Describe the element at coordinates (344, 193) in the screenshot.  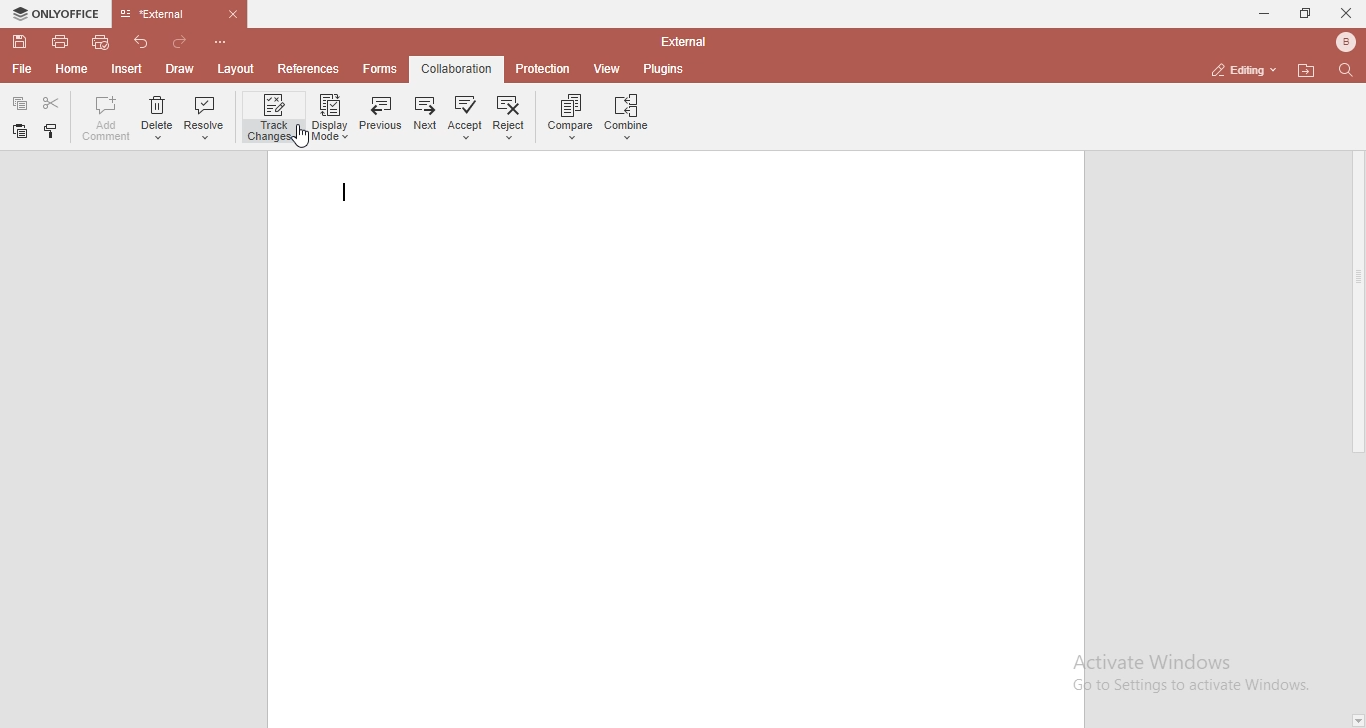
I see `text cursor` at that location.